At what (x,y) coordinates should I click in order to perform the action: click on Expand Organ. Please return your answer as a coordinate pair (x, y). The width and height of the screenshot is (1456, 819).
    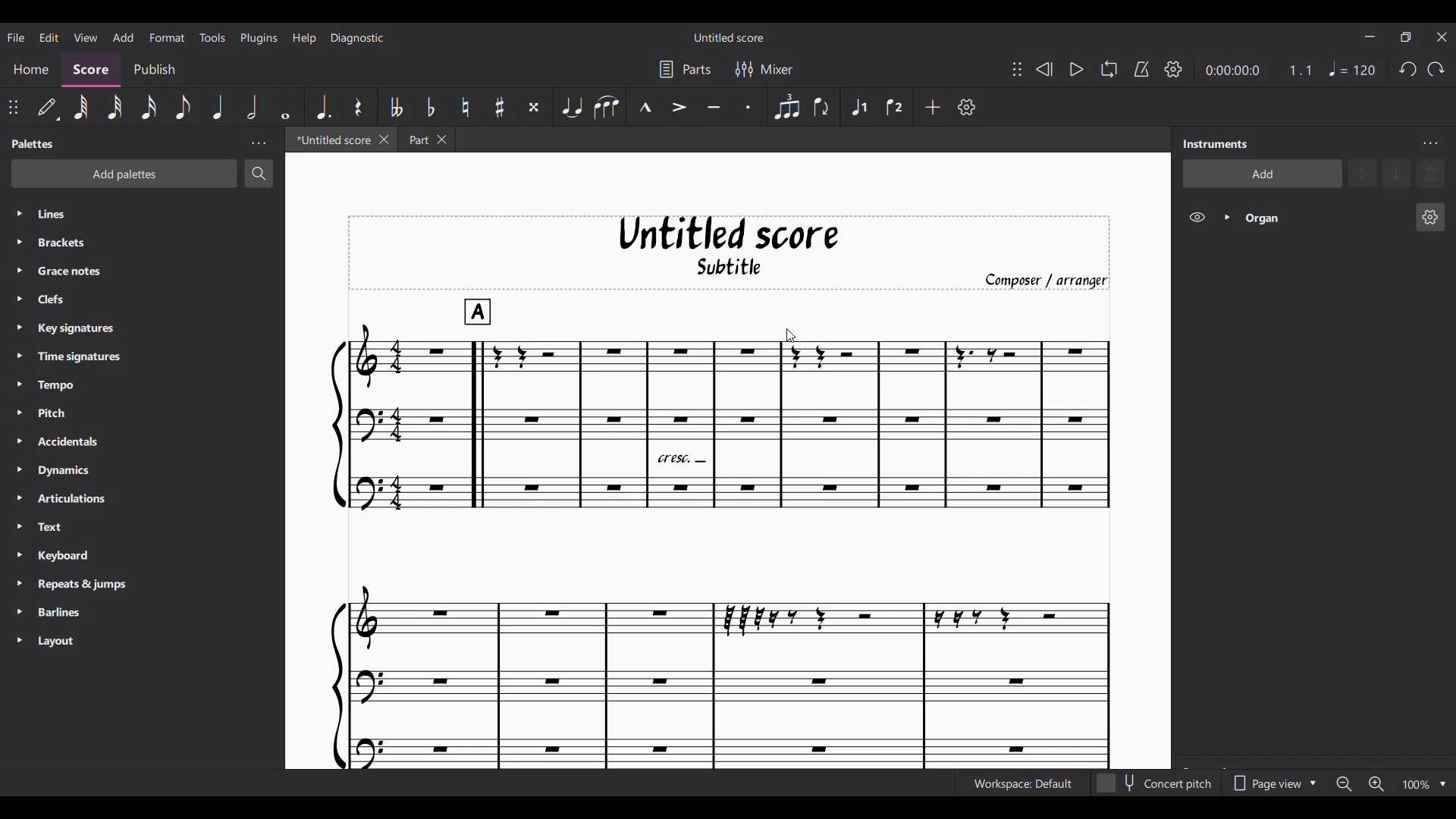
    Looking at the image, I should click on (1225, 218).